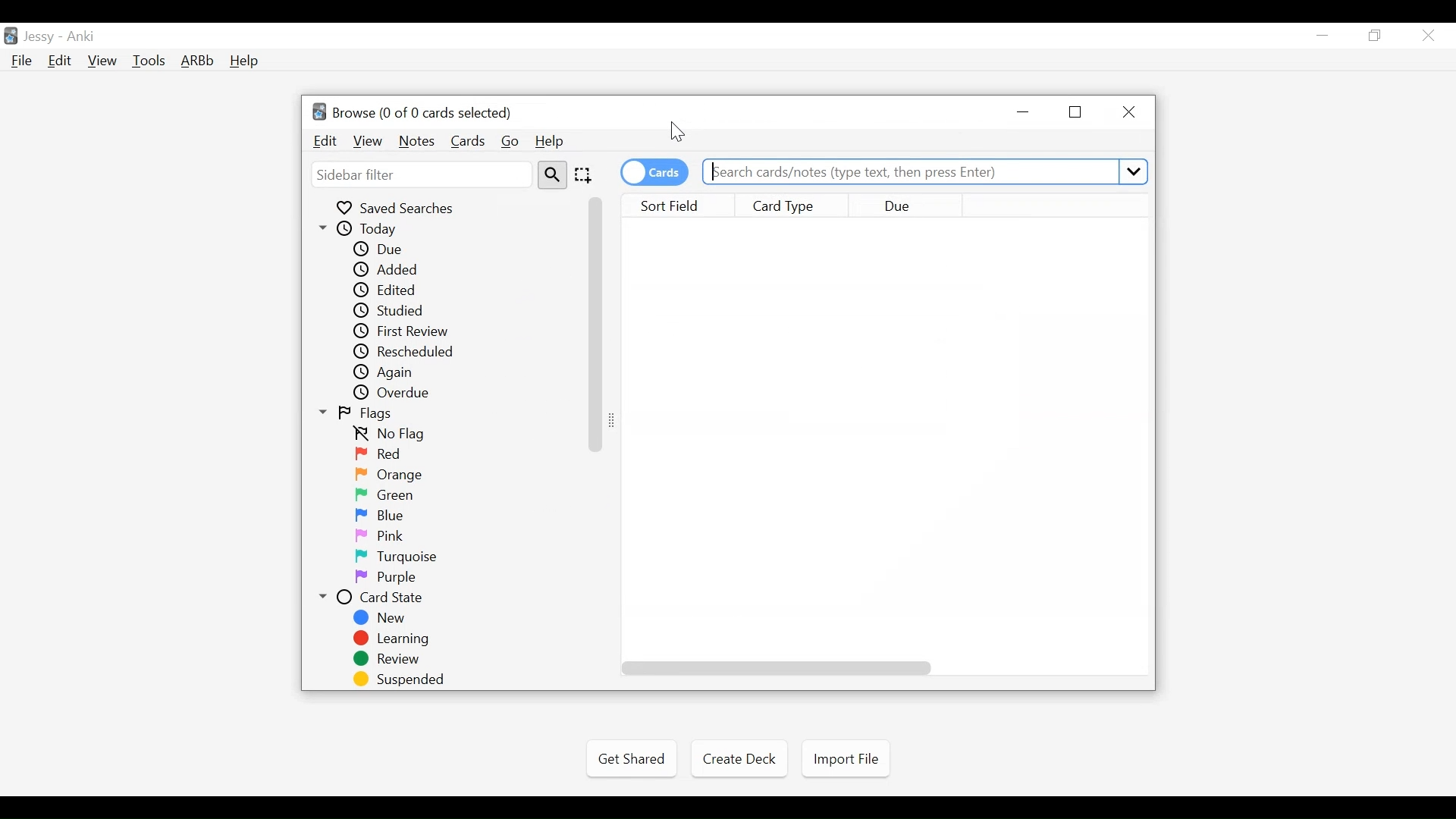 Image resolution: width=1456 pixels, height=819 pixels. What do you see at coordinates (388, 495) in the screenshot?
I see `Green` at bounding box center [388, 495].